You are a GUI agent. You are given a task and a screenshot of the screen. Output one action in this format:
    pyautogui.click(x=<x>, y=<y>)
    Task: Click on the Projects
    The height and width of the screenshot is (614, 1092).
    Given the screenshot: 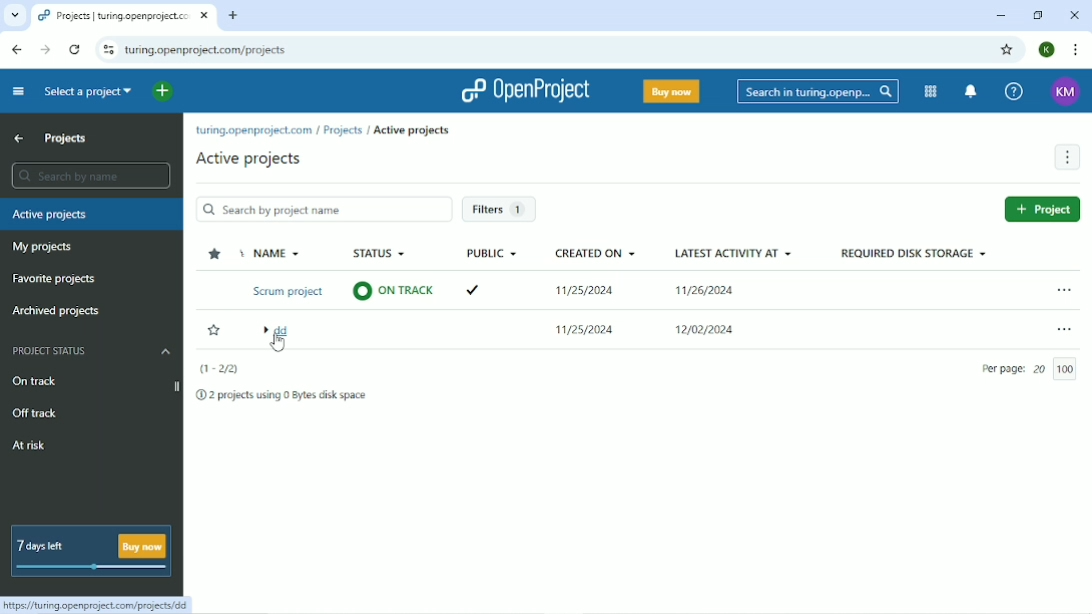 What is the action you would take?
    pyautogui.click(x=67, y=139)
    